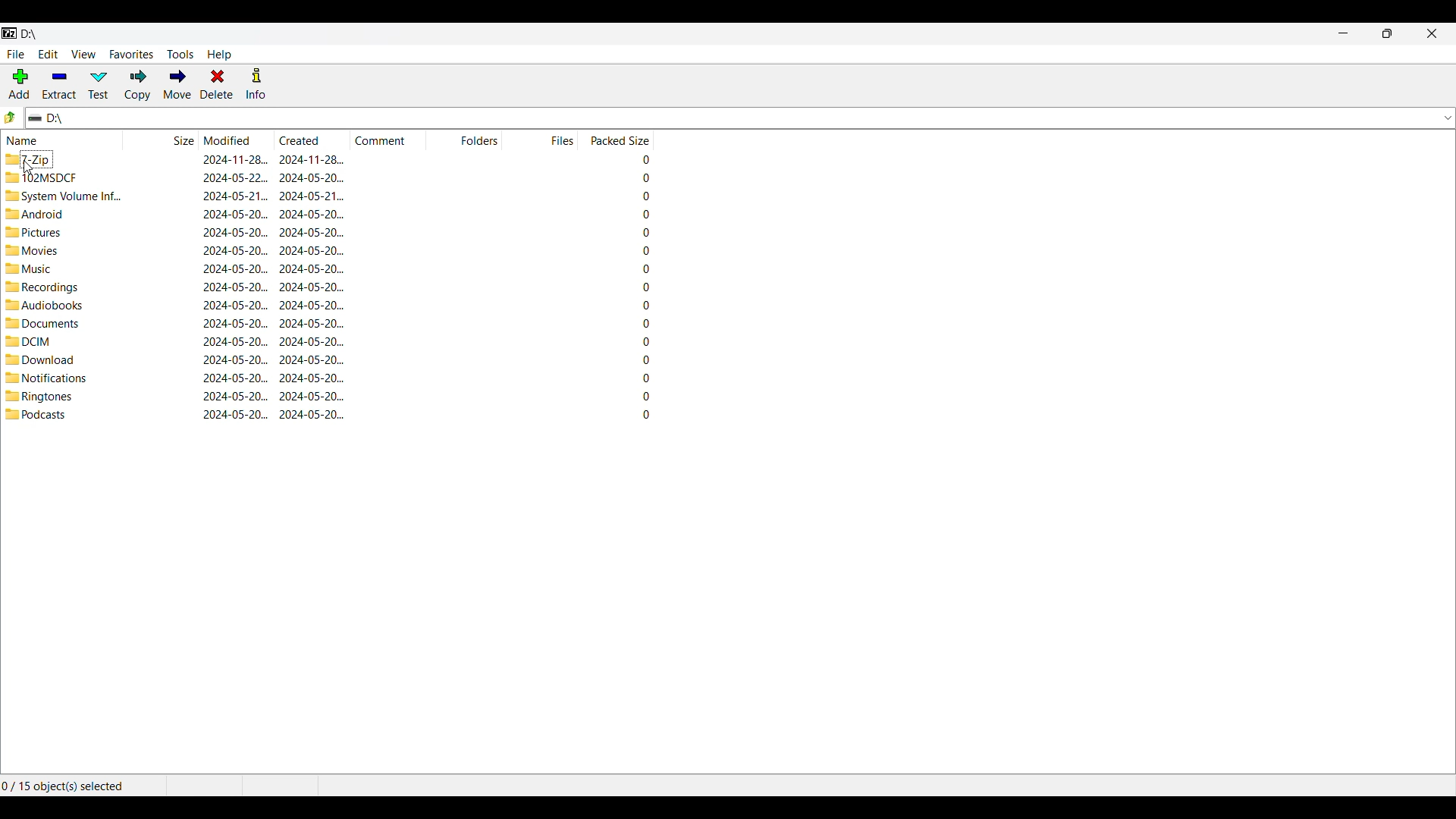 This screenshot has height=819, width=1456. Describe the element at coordinates (41, 359) in the screenshot. I see `folder` at that location.